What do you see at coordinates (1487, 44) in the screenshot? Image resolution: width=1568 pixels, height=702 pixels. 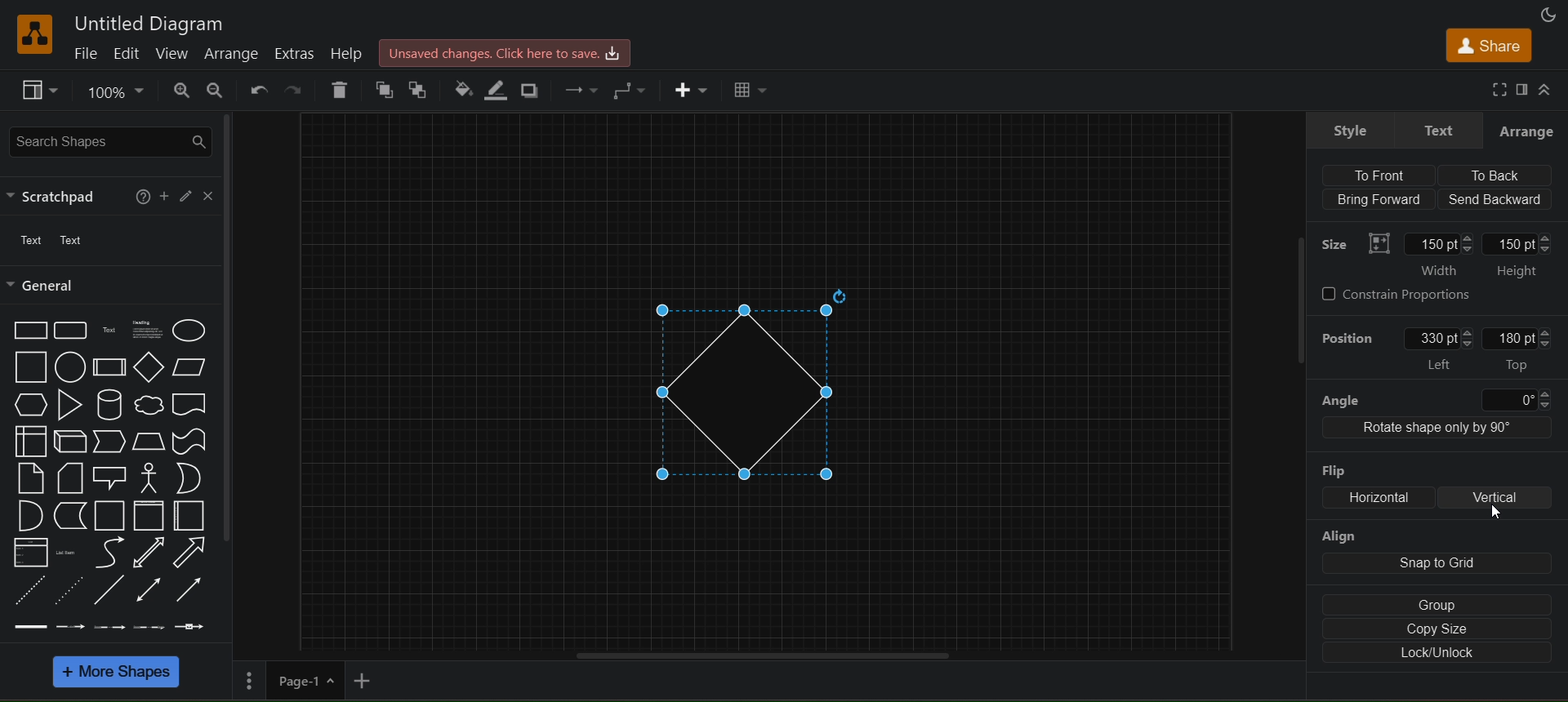 I see `share` at bounding box center [1487, 44].